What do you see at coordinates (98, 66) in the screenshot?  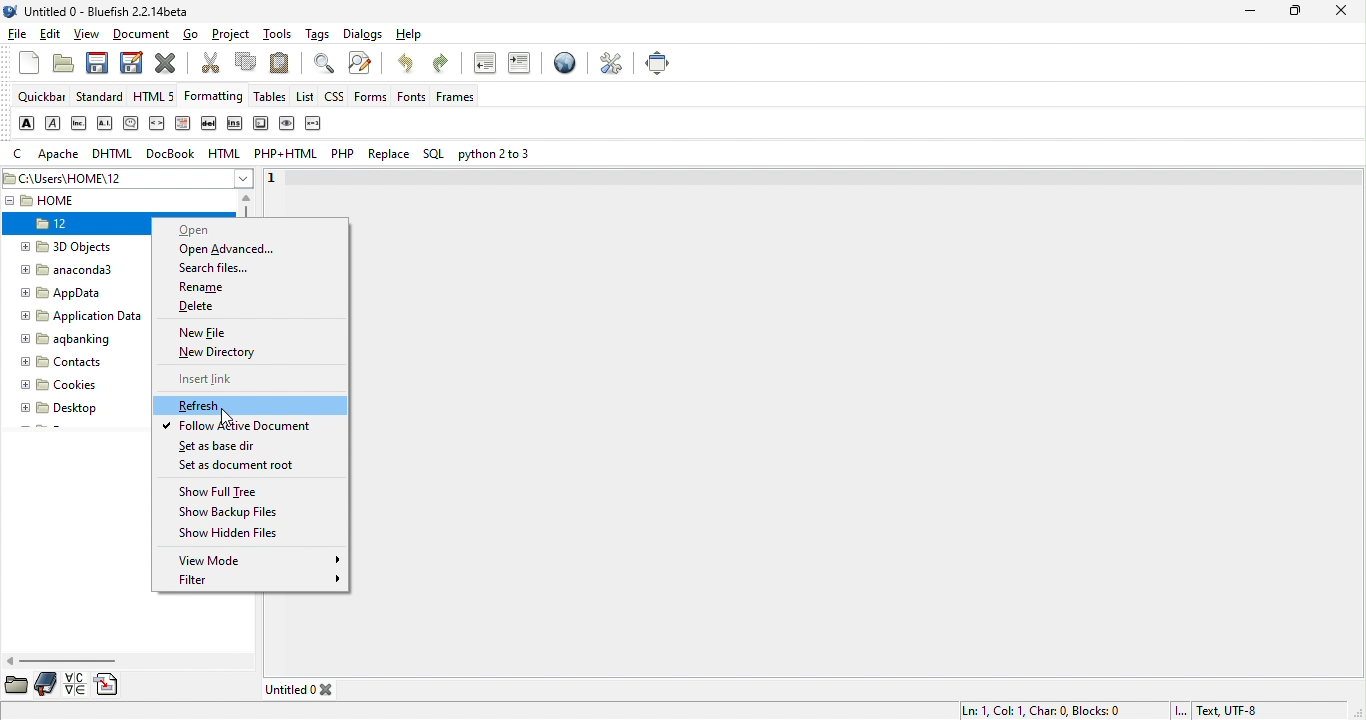 I see `save` at bounding box center [98, 66].